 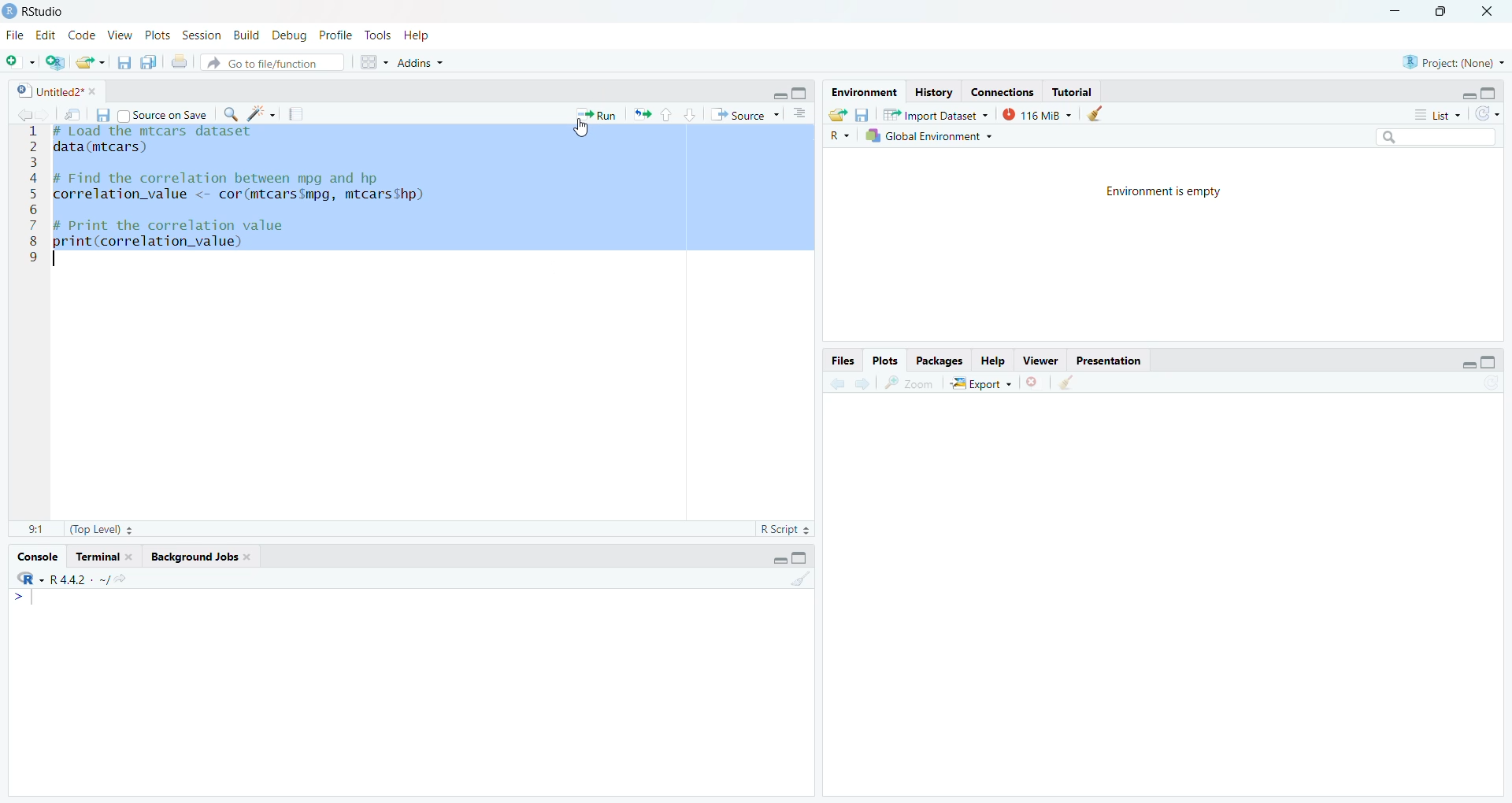 I want to click on Session, so click(x=201, y=35).